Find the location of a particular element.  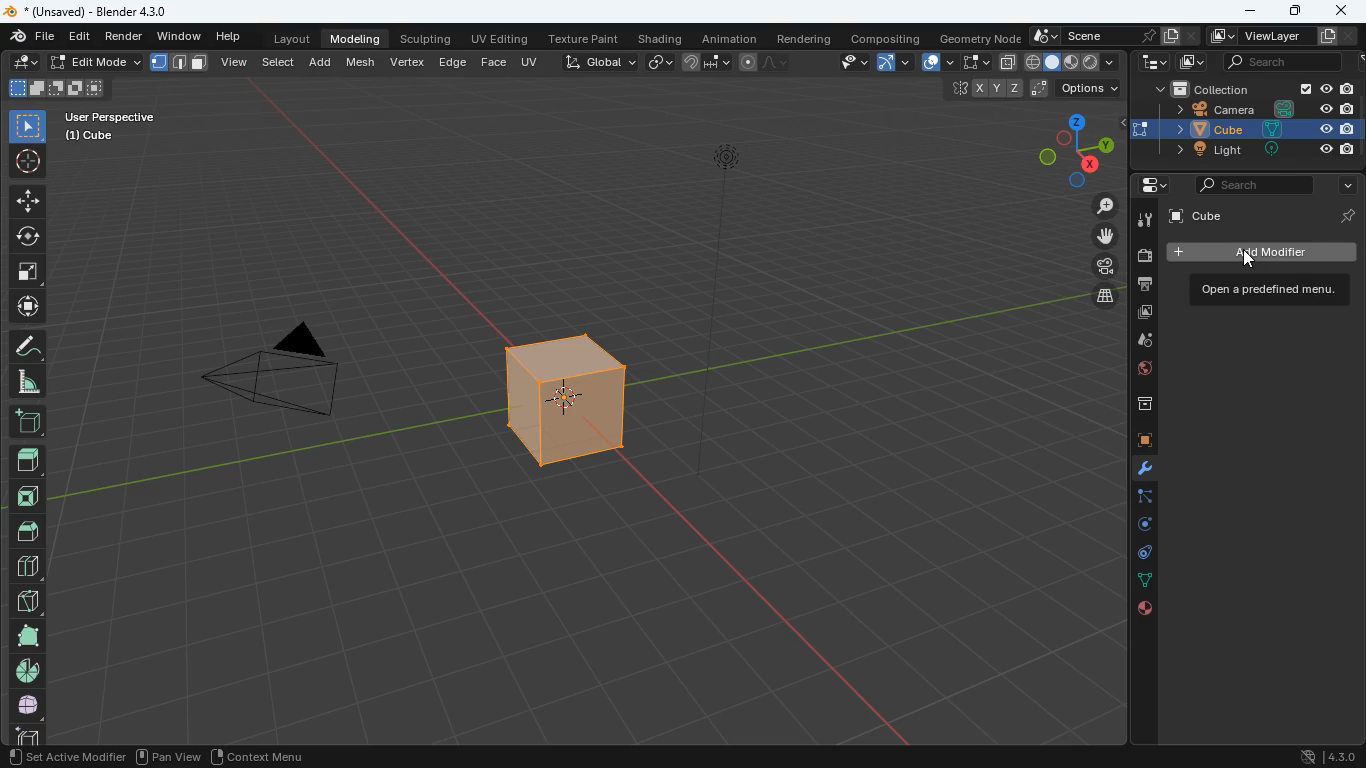

public is located at coordinates (1146, 611).